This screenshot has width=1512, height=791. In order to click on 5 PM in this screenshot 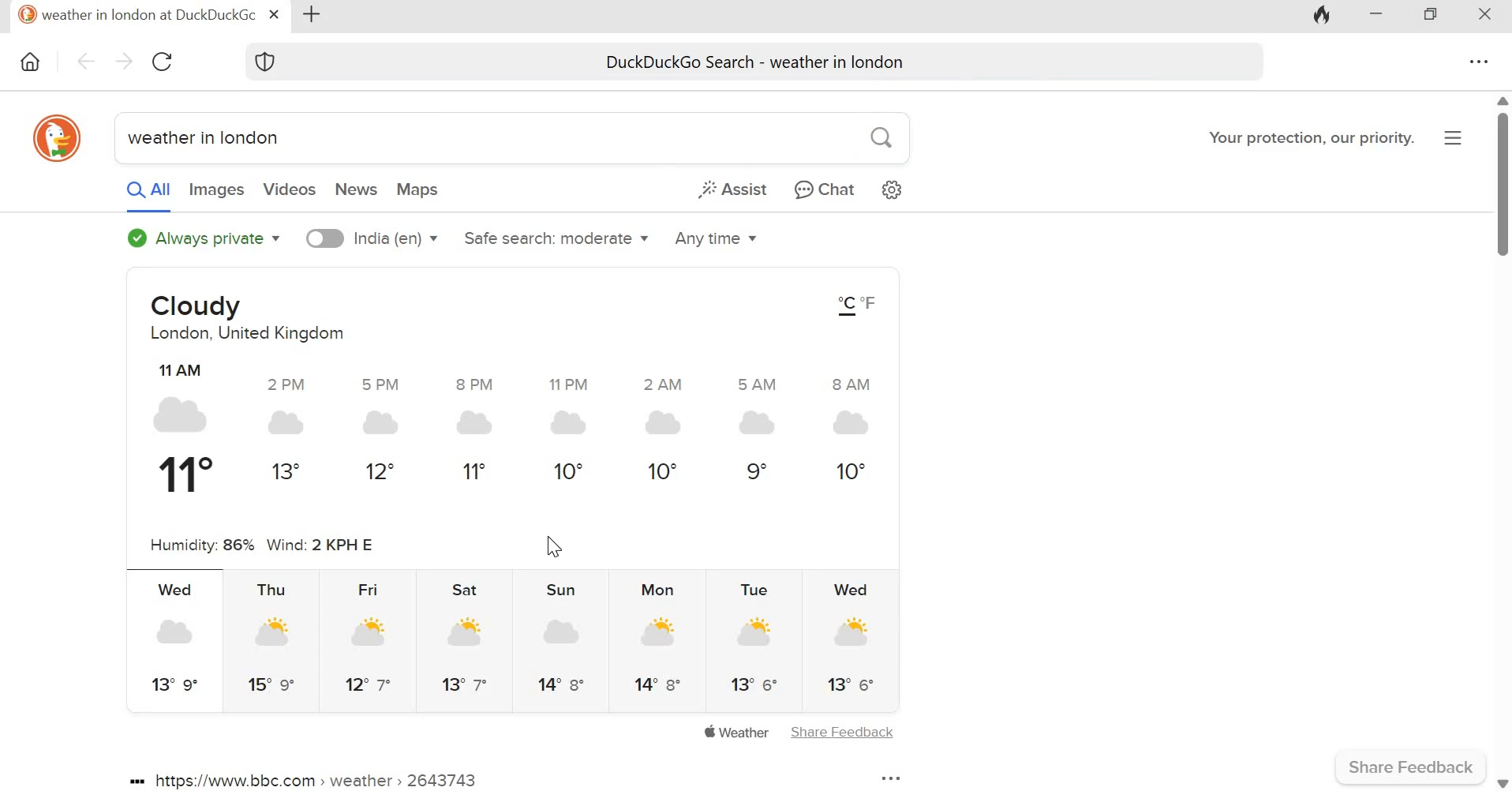, I will do `click(380, 384)`.